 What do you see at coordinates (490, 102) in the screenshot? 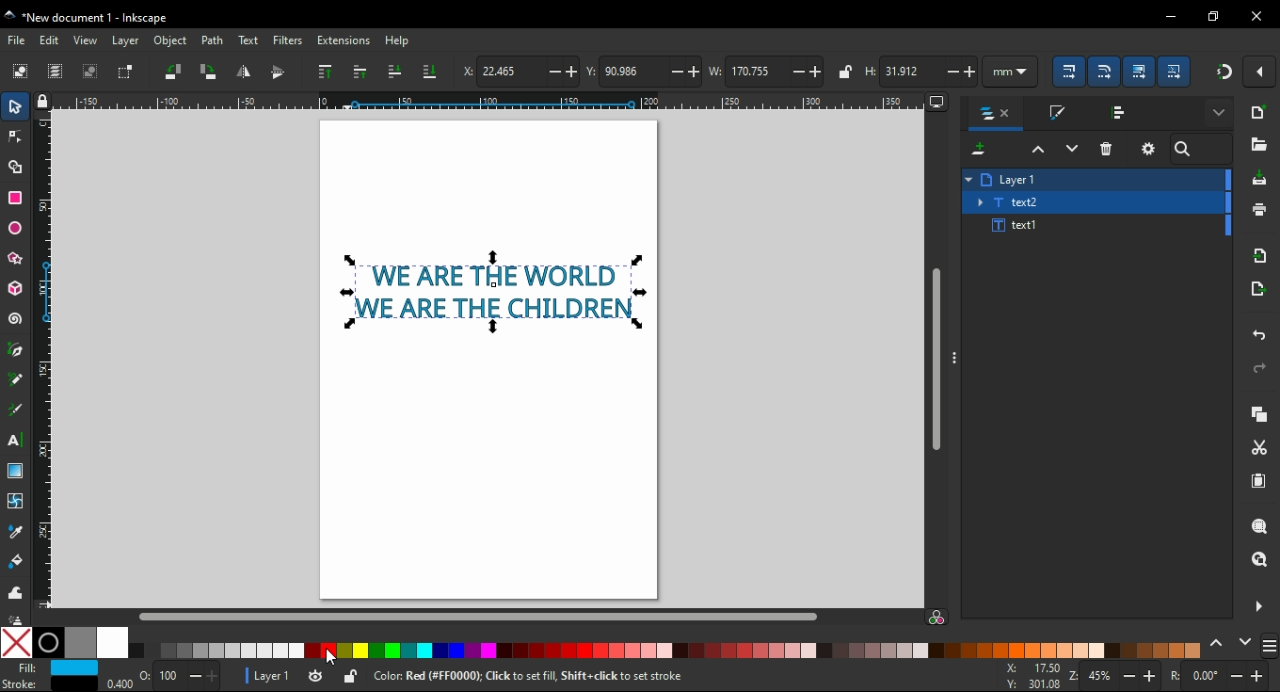
I see `Horizontal ruler` at bounding box center [490, 102].